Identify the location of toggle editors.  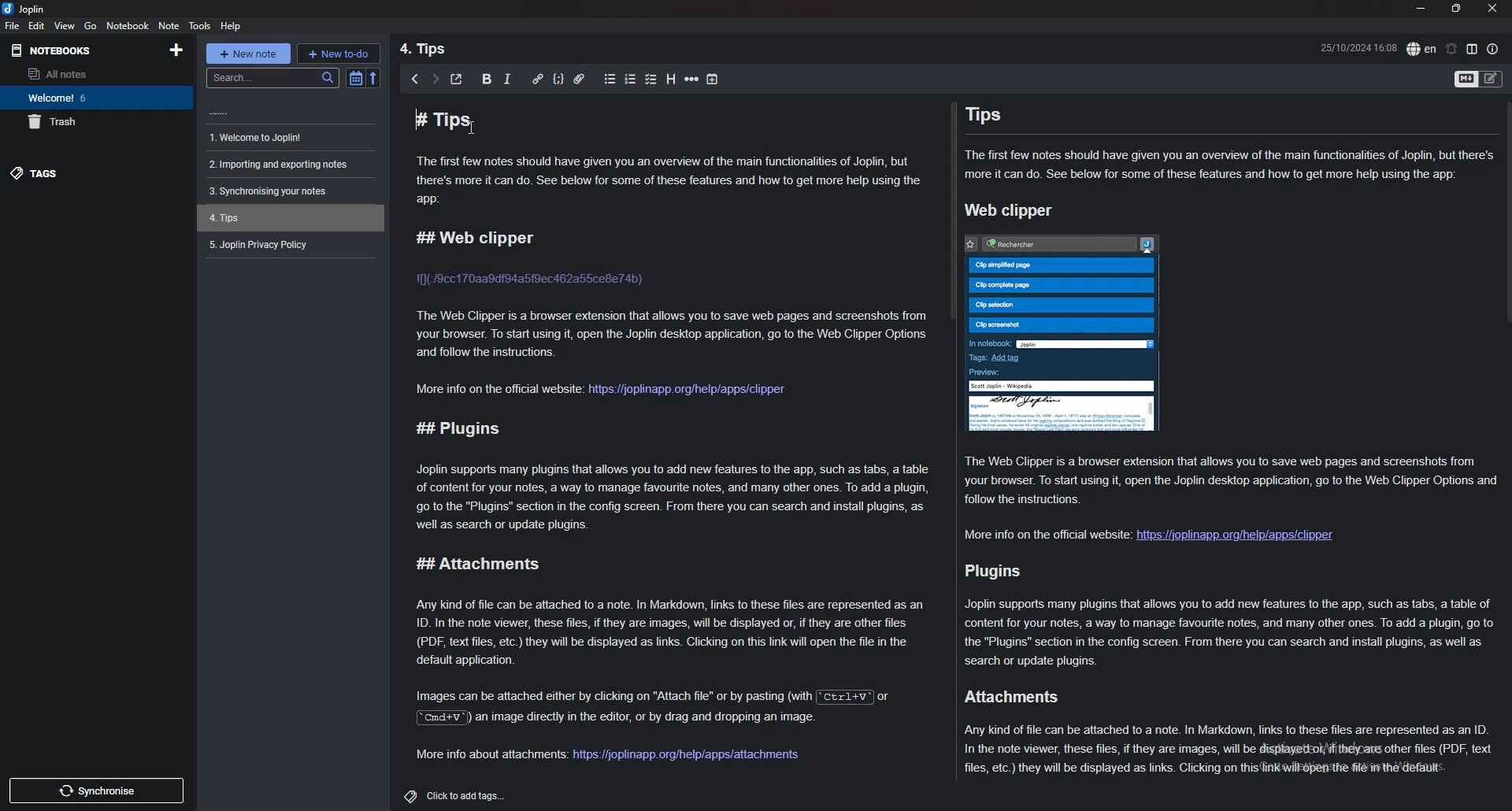
(1467, 80).